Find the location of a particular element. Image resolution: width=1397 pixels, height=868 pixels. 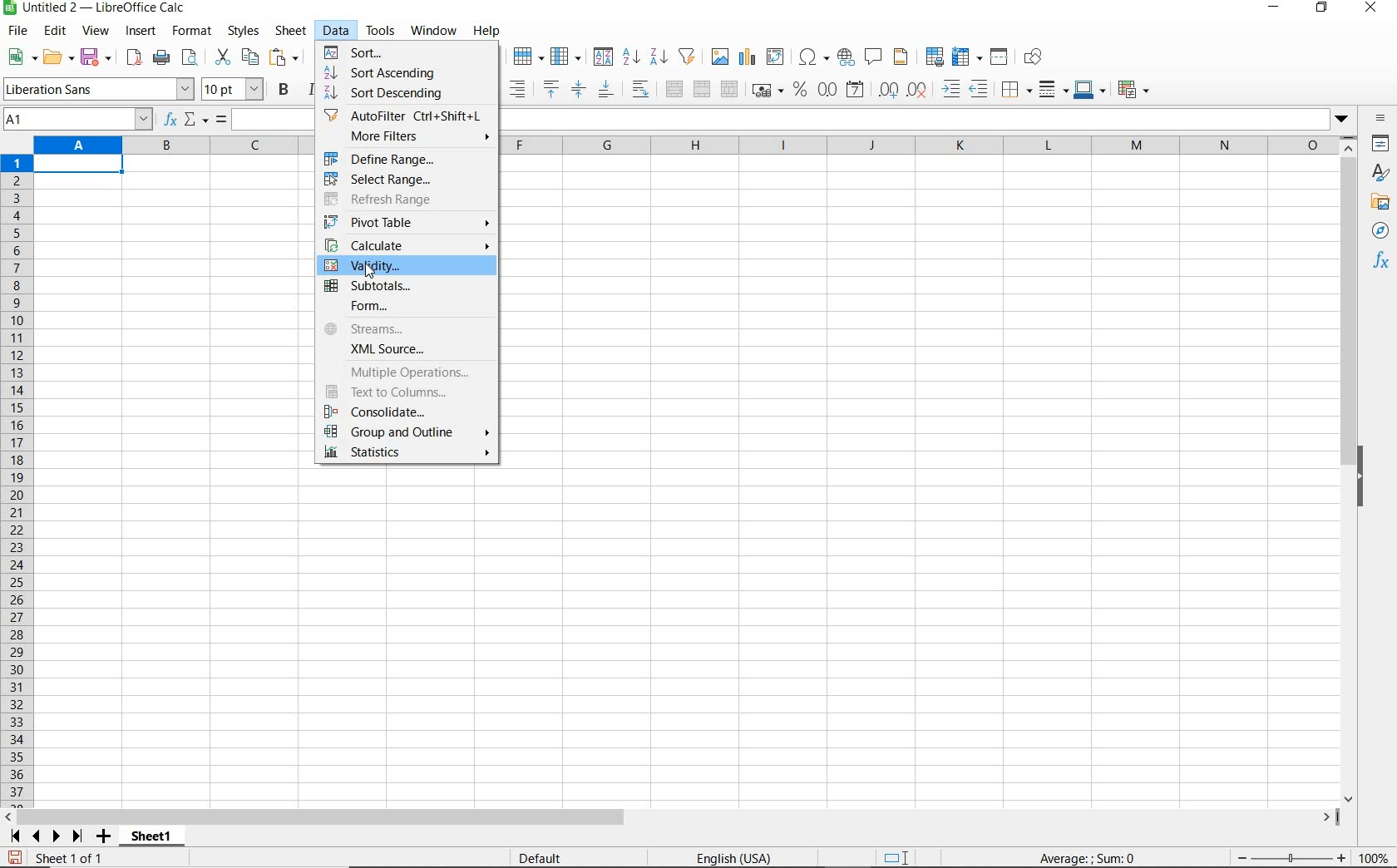

font size is located at coordinates (233, 89).